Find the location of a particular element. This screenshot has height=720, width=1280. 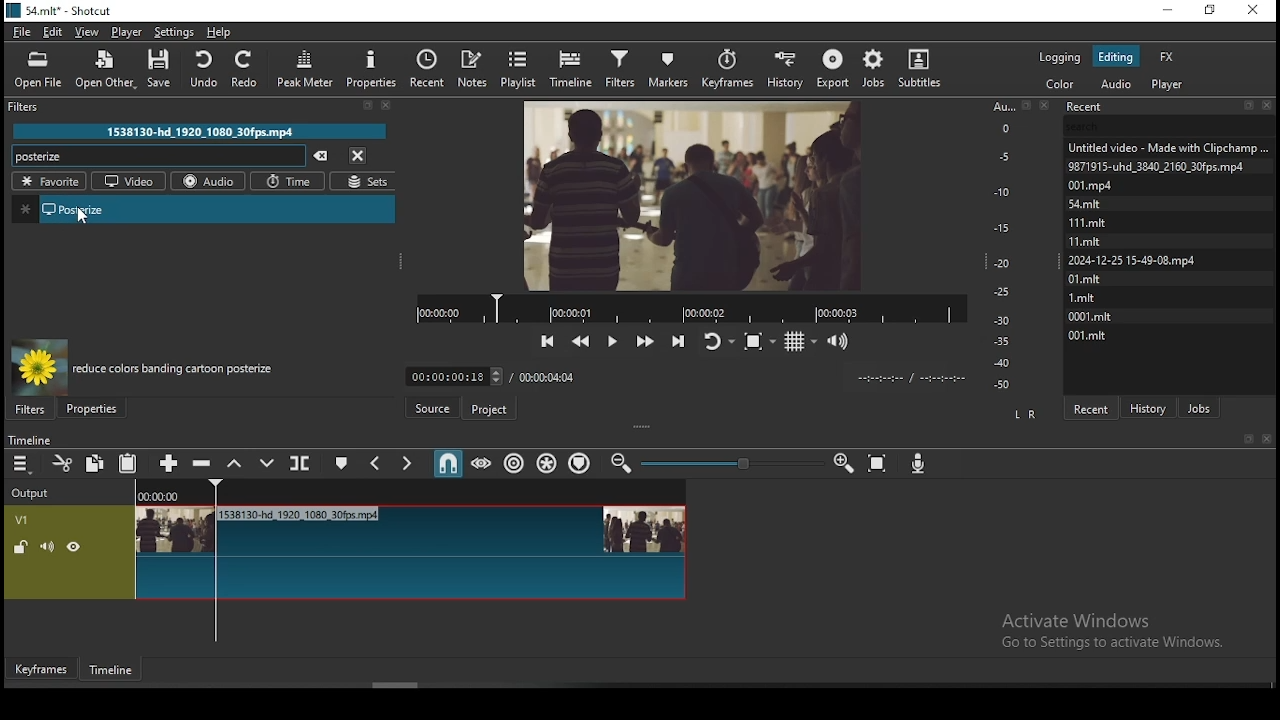

restore is located at coordinates (1211, 11).